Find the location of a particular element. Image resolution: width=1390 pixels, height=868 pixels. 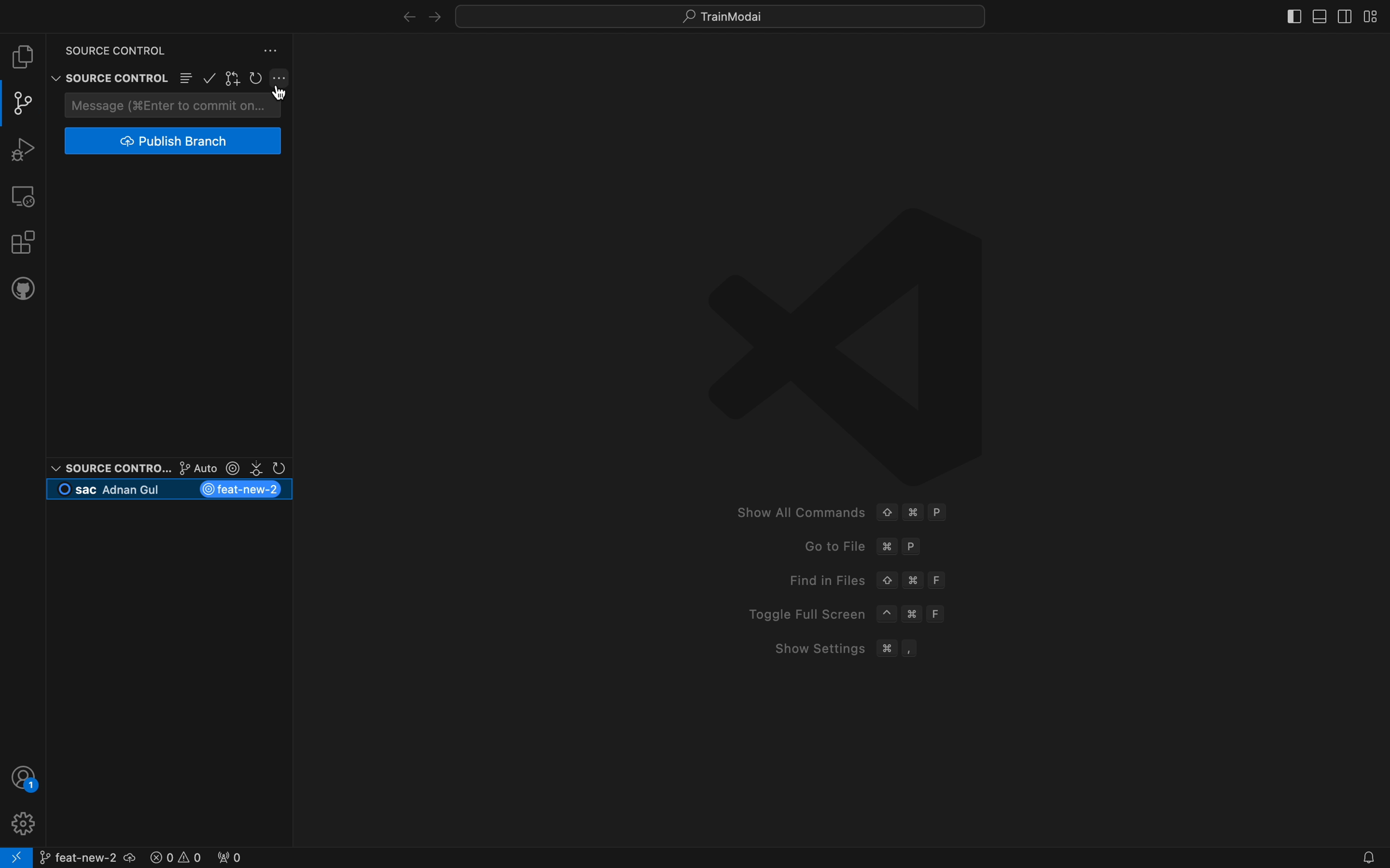

Show Settings is located at coordinates (811, 648).